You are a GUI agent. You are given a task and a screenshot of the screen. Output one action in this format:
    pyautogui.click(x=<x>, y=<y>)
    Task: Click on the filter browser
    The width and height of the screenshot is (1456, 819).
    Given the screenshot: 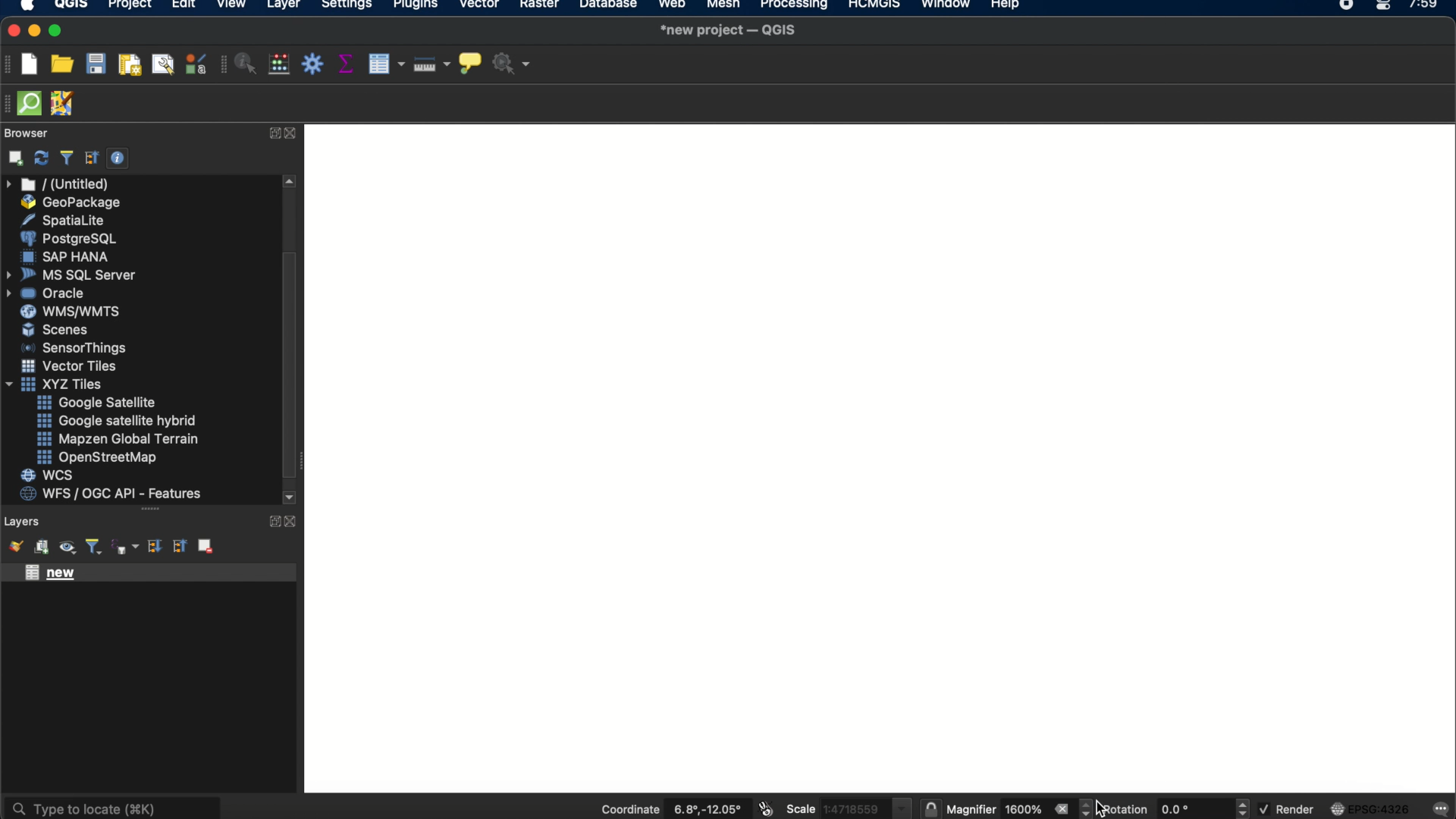 What is the action you would take?
    pyautogui.click(x=66, y=158)
    